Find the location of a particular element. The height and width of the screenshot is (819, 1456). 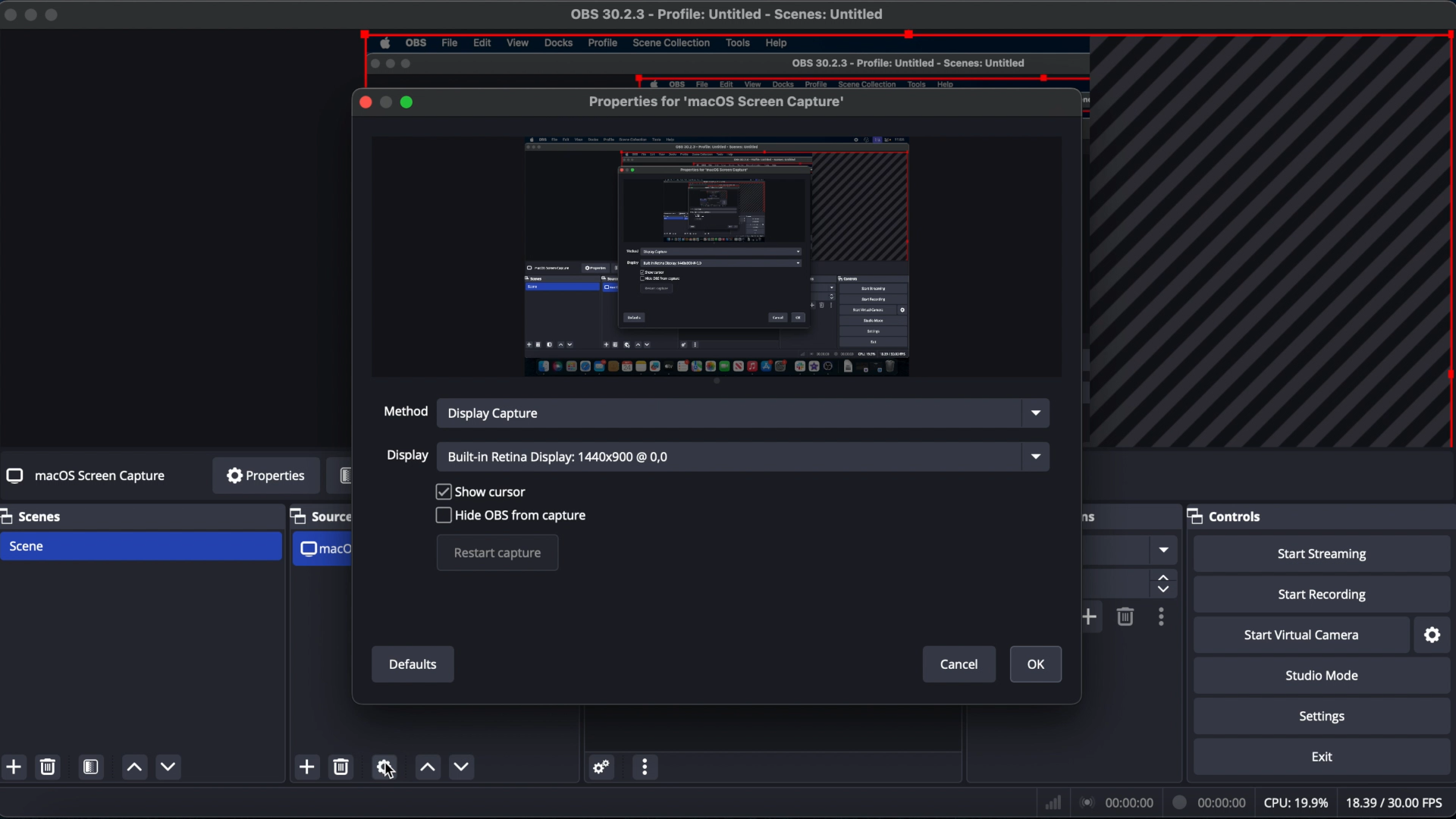

cursor is located at coordinates (391, 770).